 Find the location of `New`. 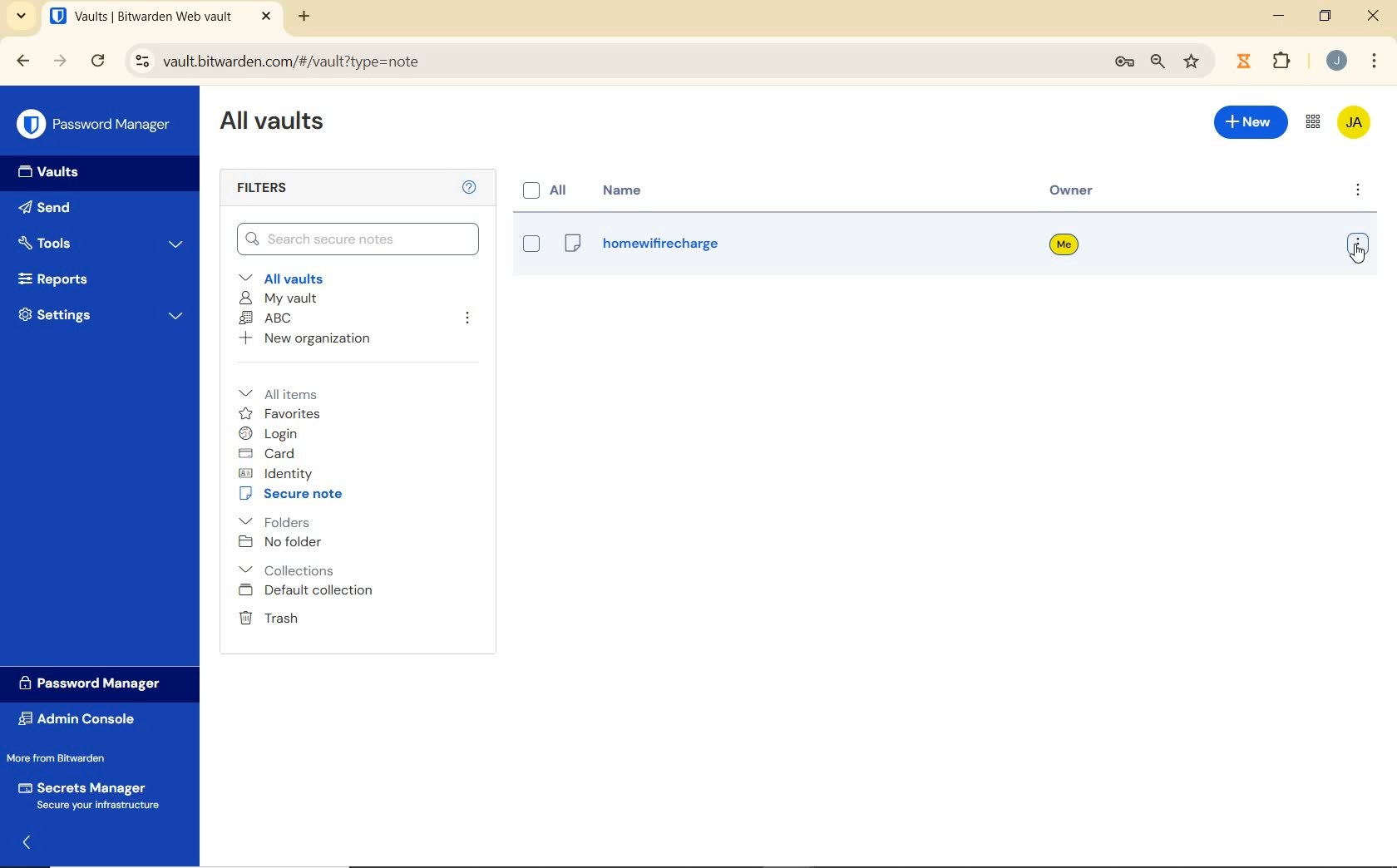

New is located at coordinates (1251, 126).